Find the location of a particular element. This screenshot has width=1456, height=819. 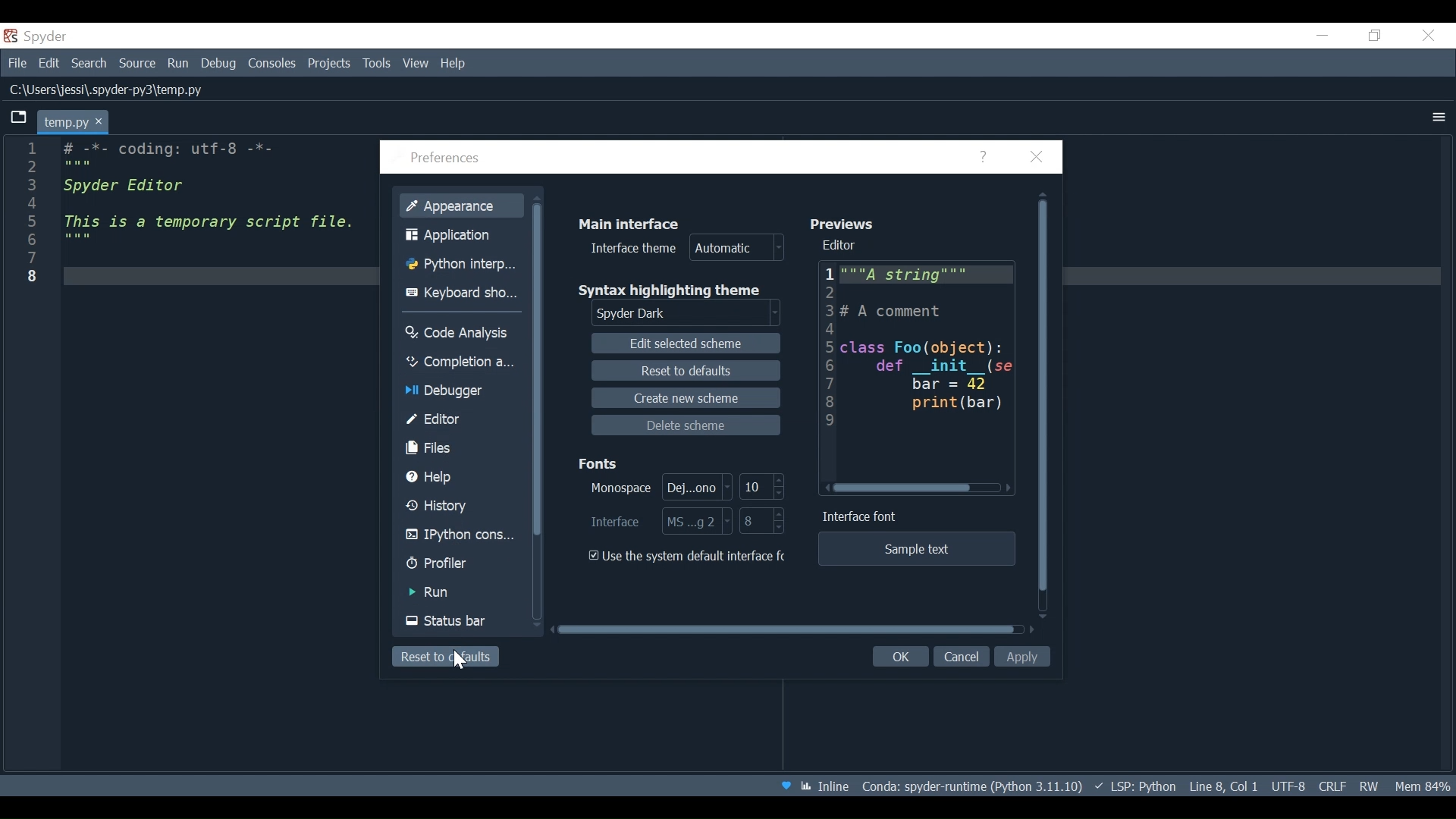

Help is located at coordinates (985, 158).